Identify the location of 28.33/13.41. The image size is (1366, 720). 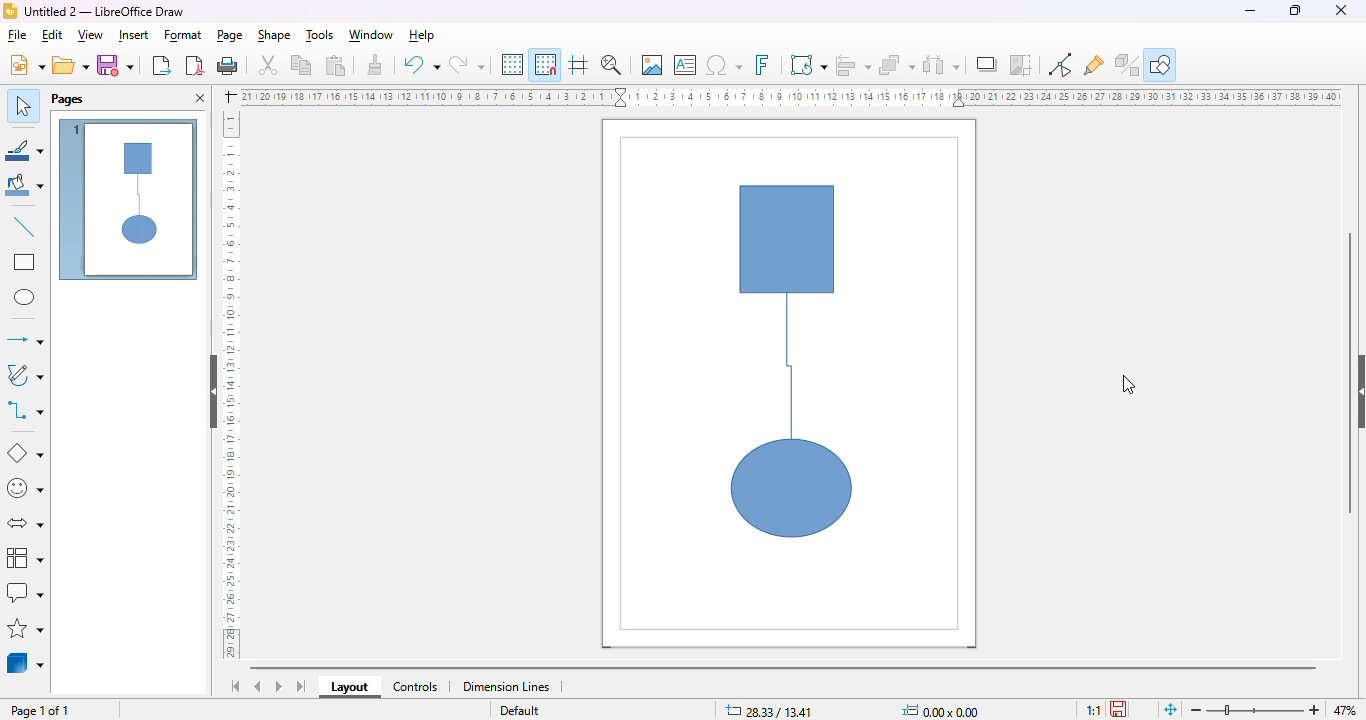
(769, 710).